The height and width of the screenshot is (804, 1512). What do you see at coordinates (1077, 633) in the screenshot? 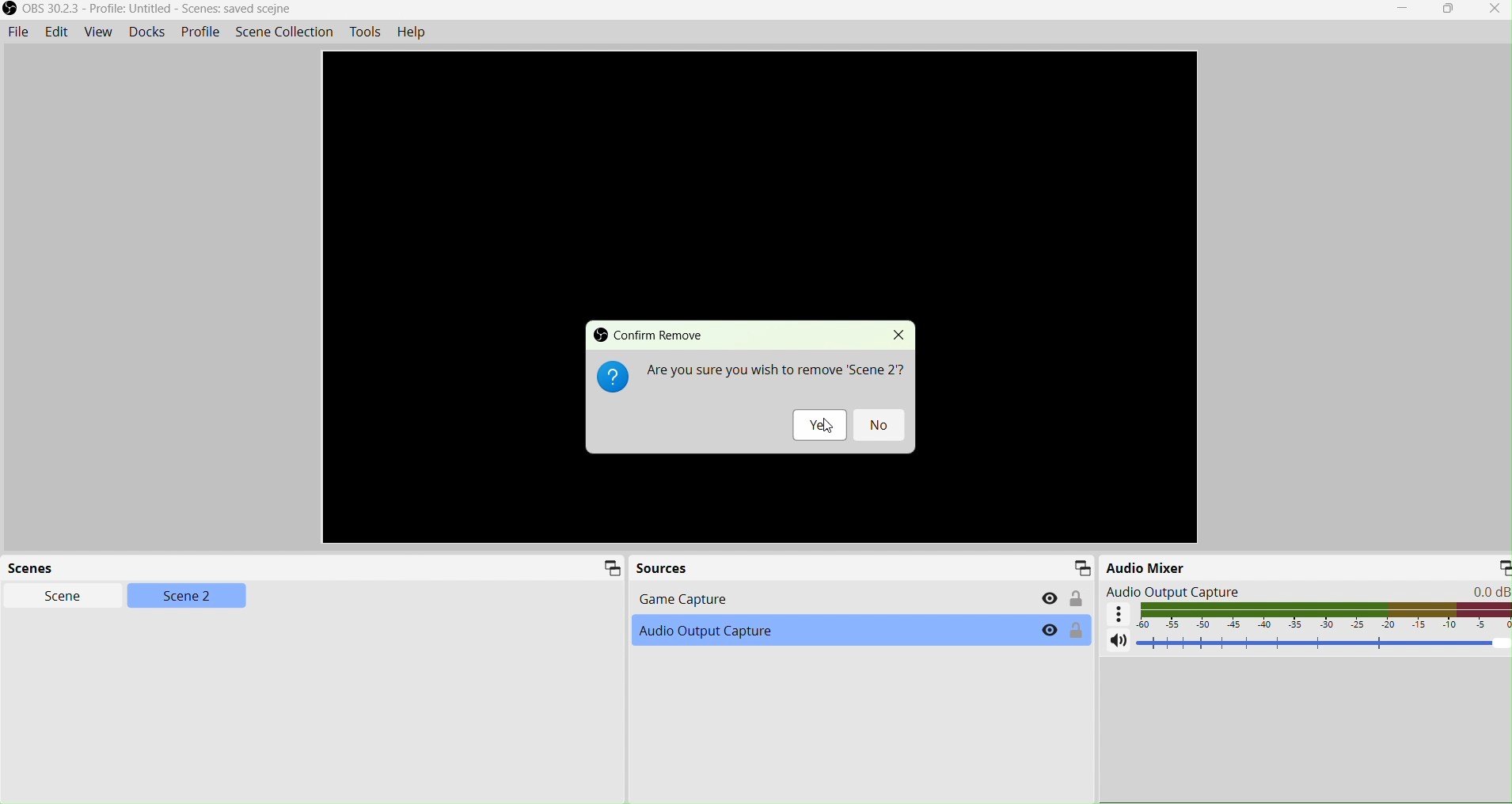
I see `Lock` at bounding box center [1077, 633].